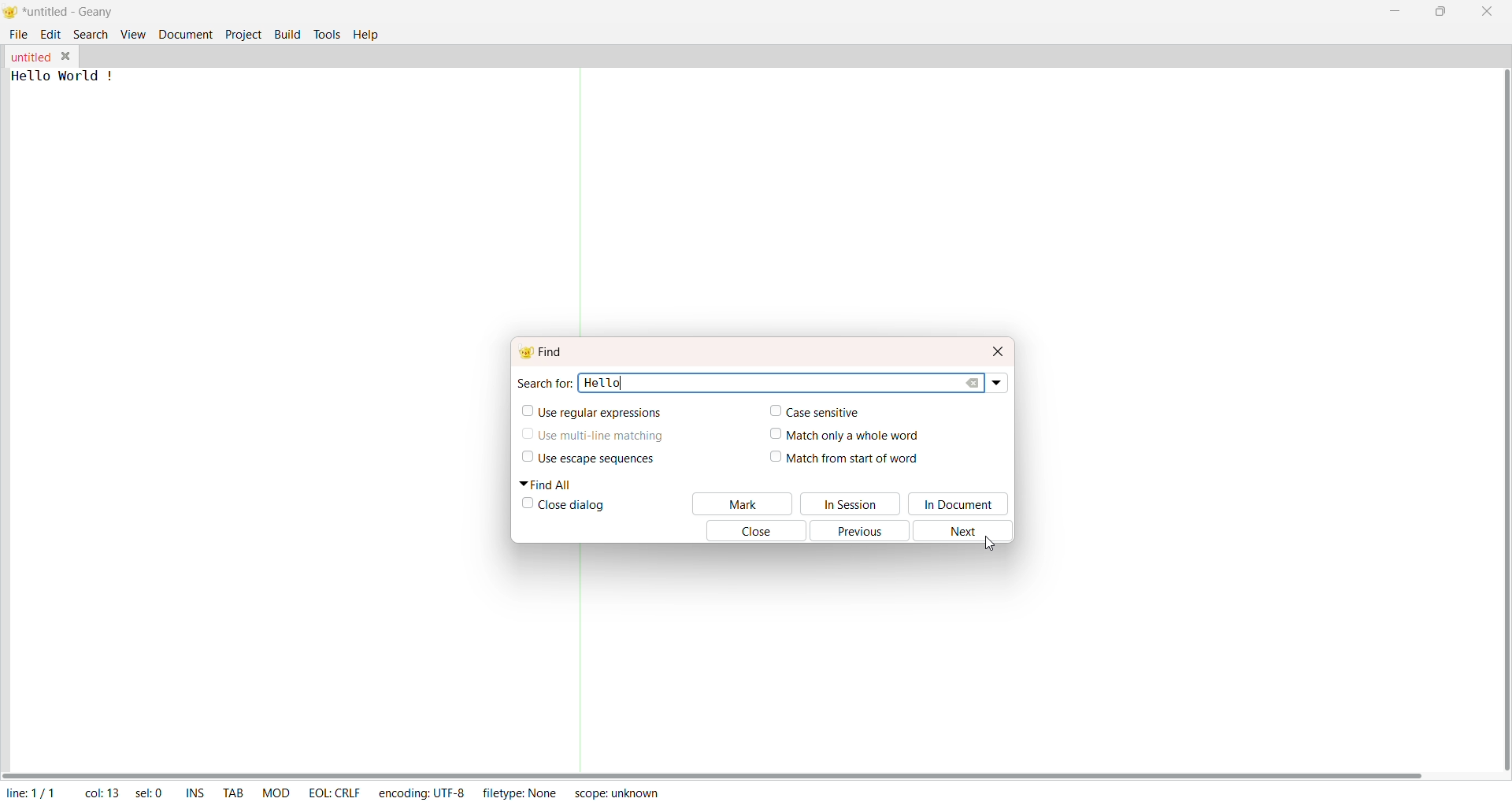  I want to click on TAB, so click(231, 789).